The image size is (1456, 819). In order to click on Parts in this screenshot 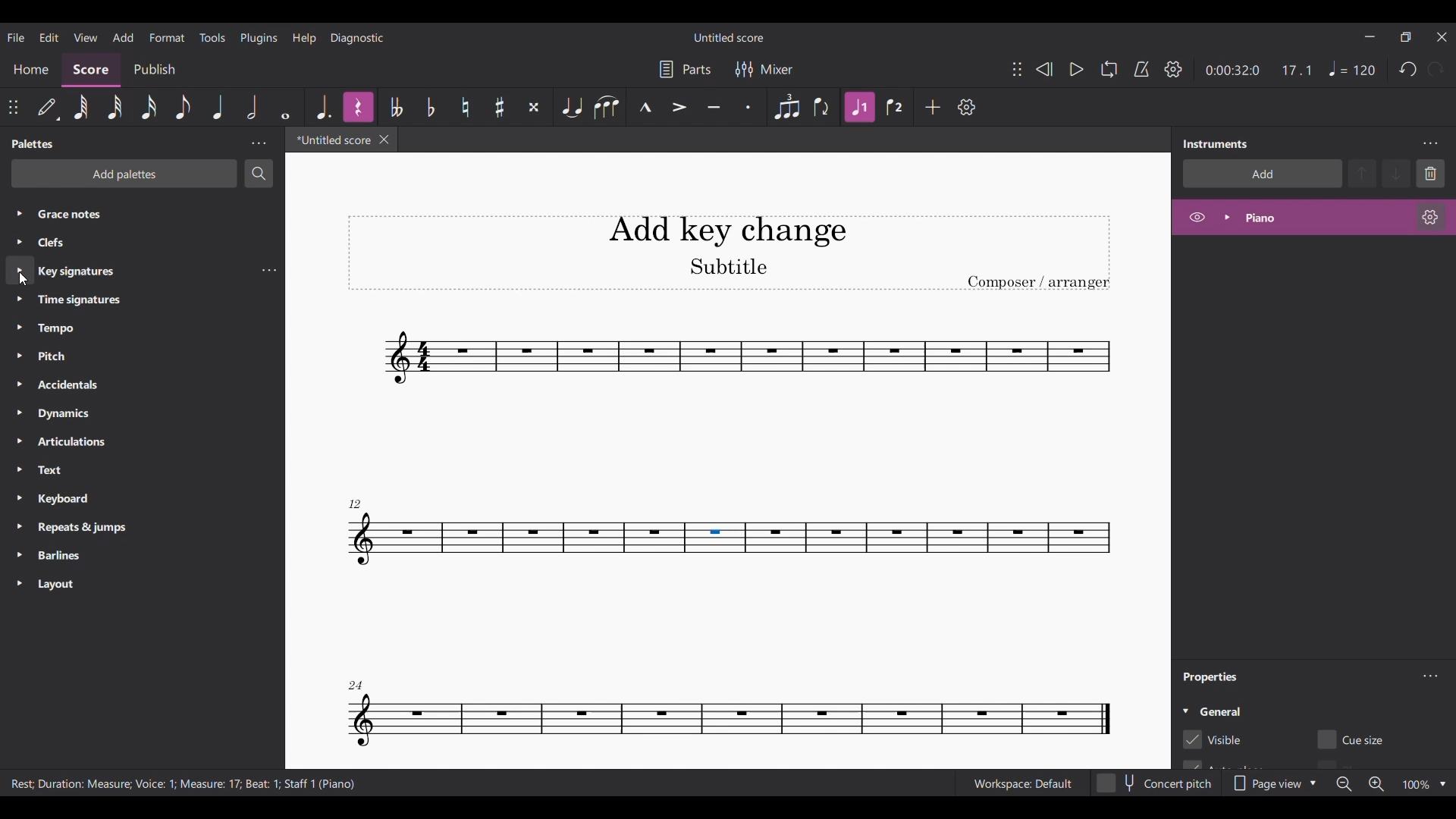, I will do `click(684, 69)`.